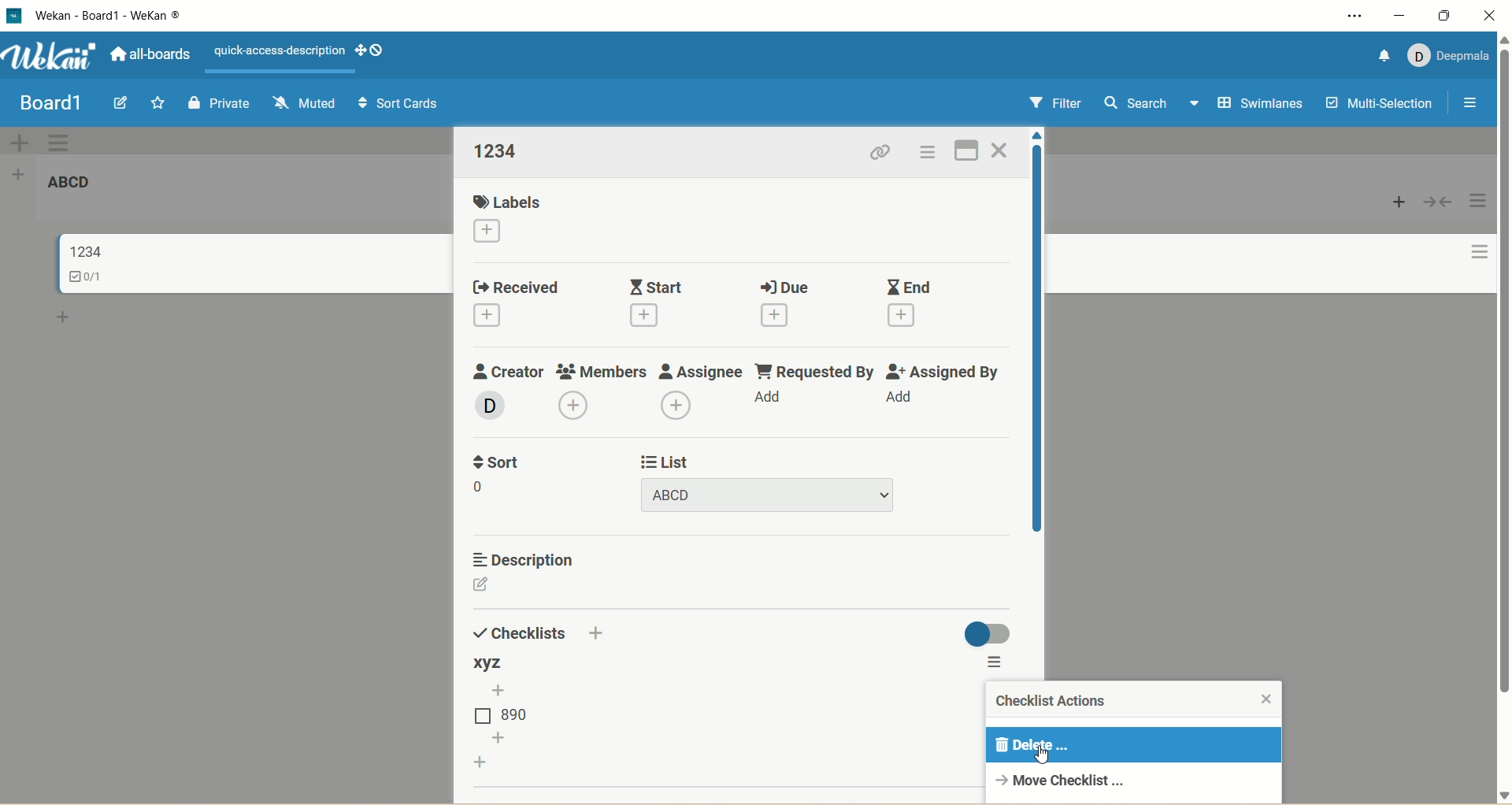  What do you see at coordinates (776, 495) in the screenshot?
I see `ABCD` at bounding box center [776, 495].